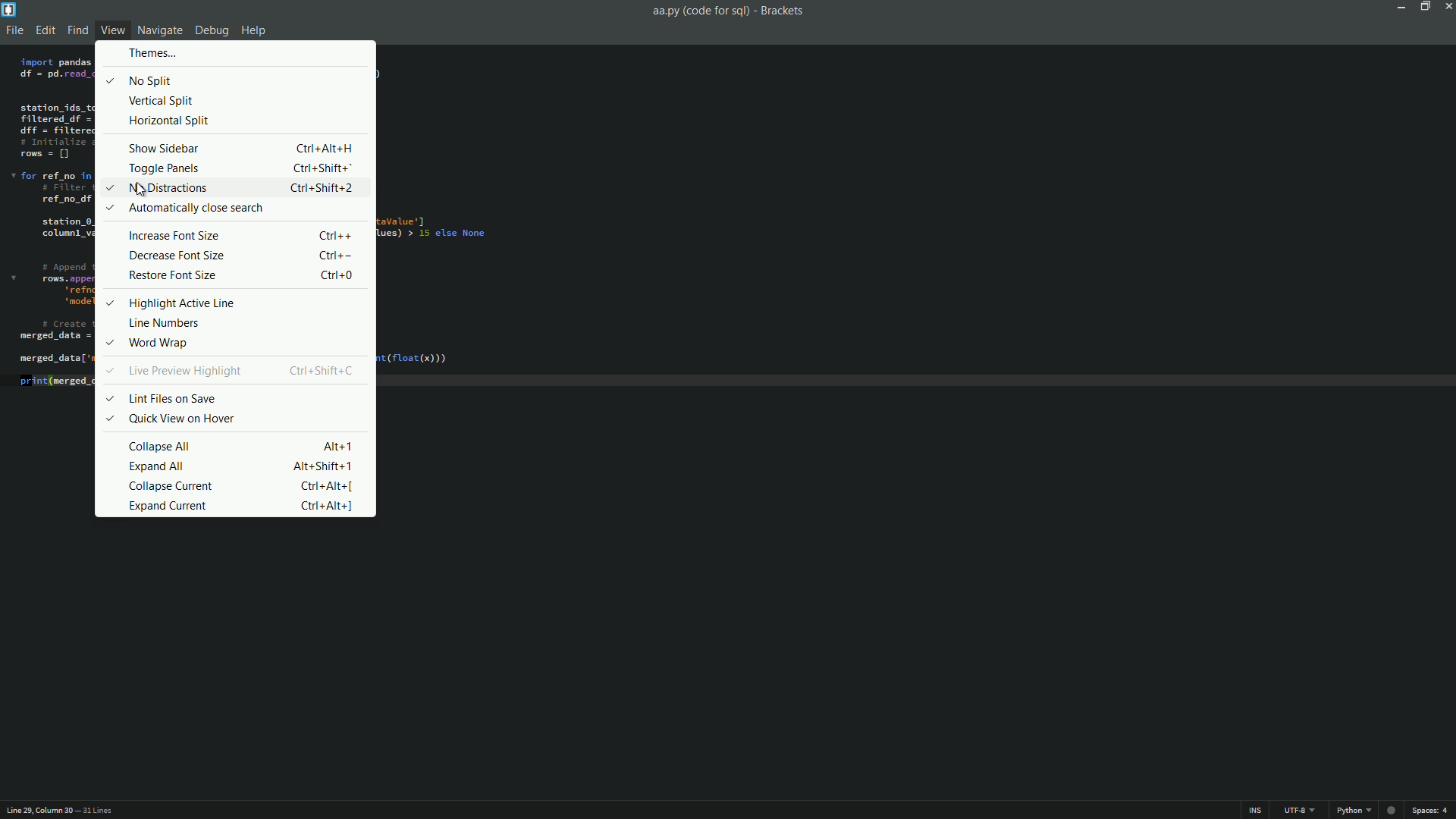 Image resolution: width=1456 pixels, height=819 pixels. What do you see at coordinates (212, 30) in the screenshot?
I see `debug menu` at bounding box center [212, 30].